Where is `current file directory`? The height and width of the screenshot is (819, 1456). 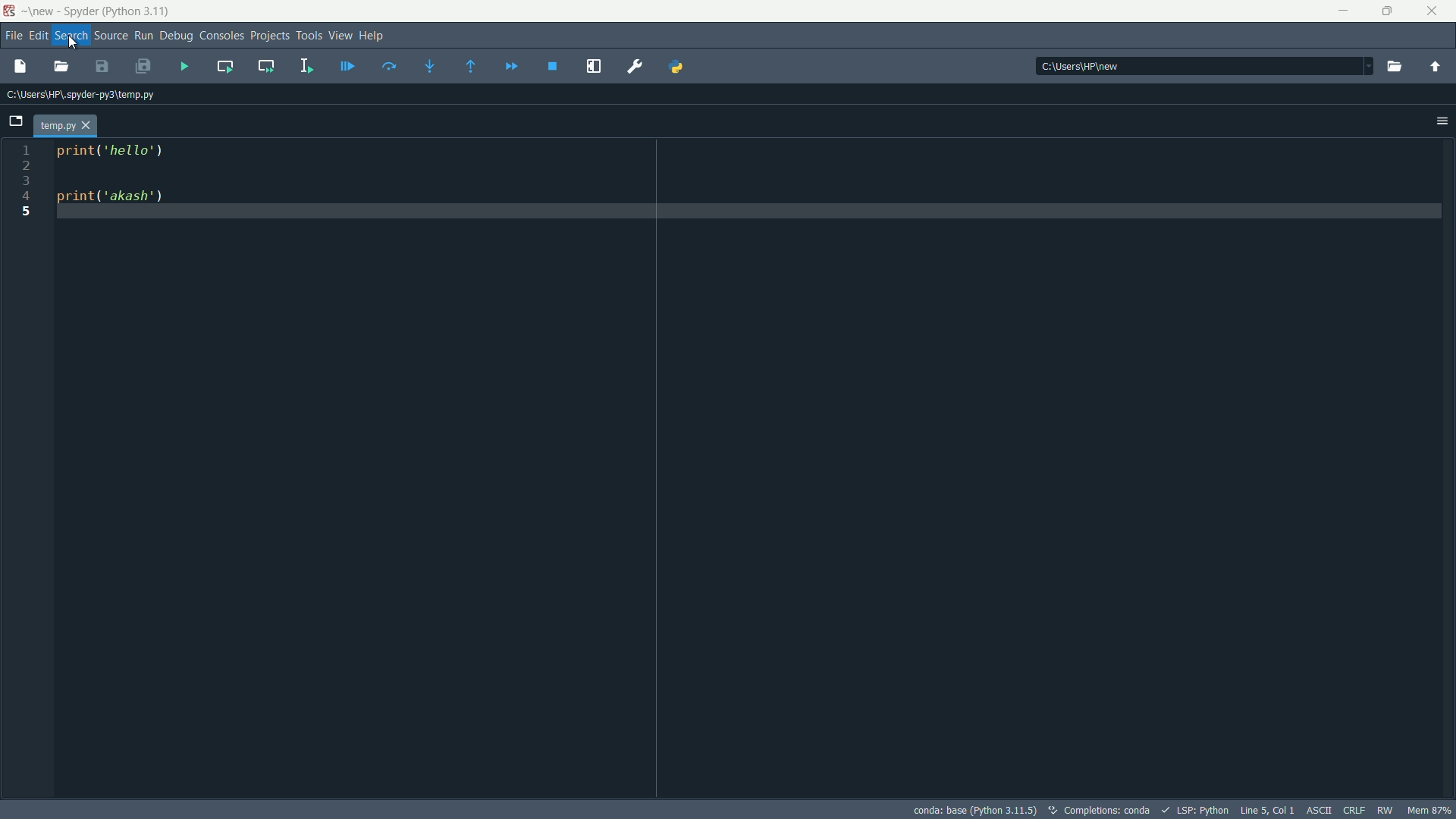 current file directory is located at coordinates (80, 94).